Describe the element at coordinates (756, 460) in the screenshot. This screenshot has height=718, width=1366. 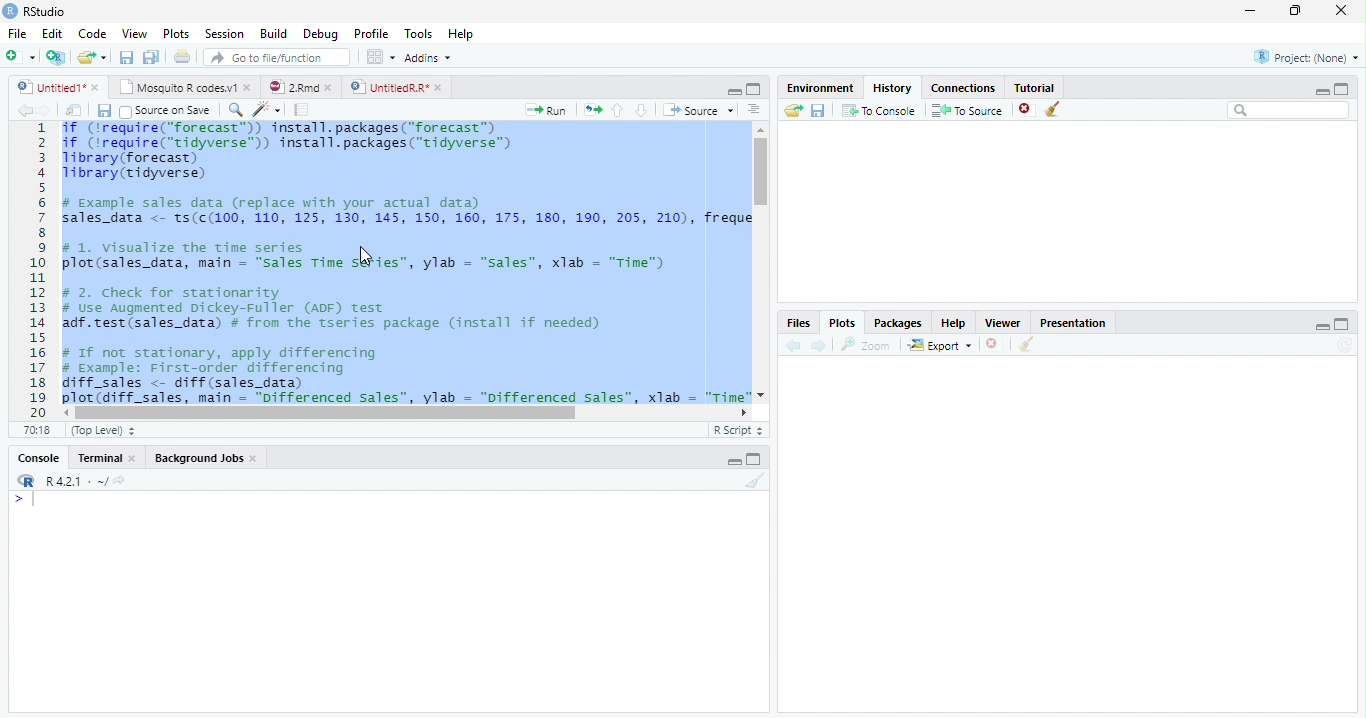
I see `Maximize` at that location.